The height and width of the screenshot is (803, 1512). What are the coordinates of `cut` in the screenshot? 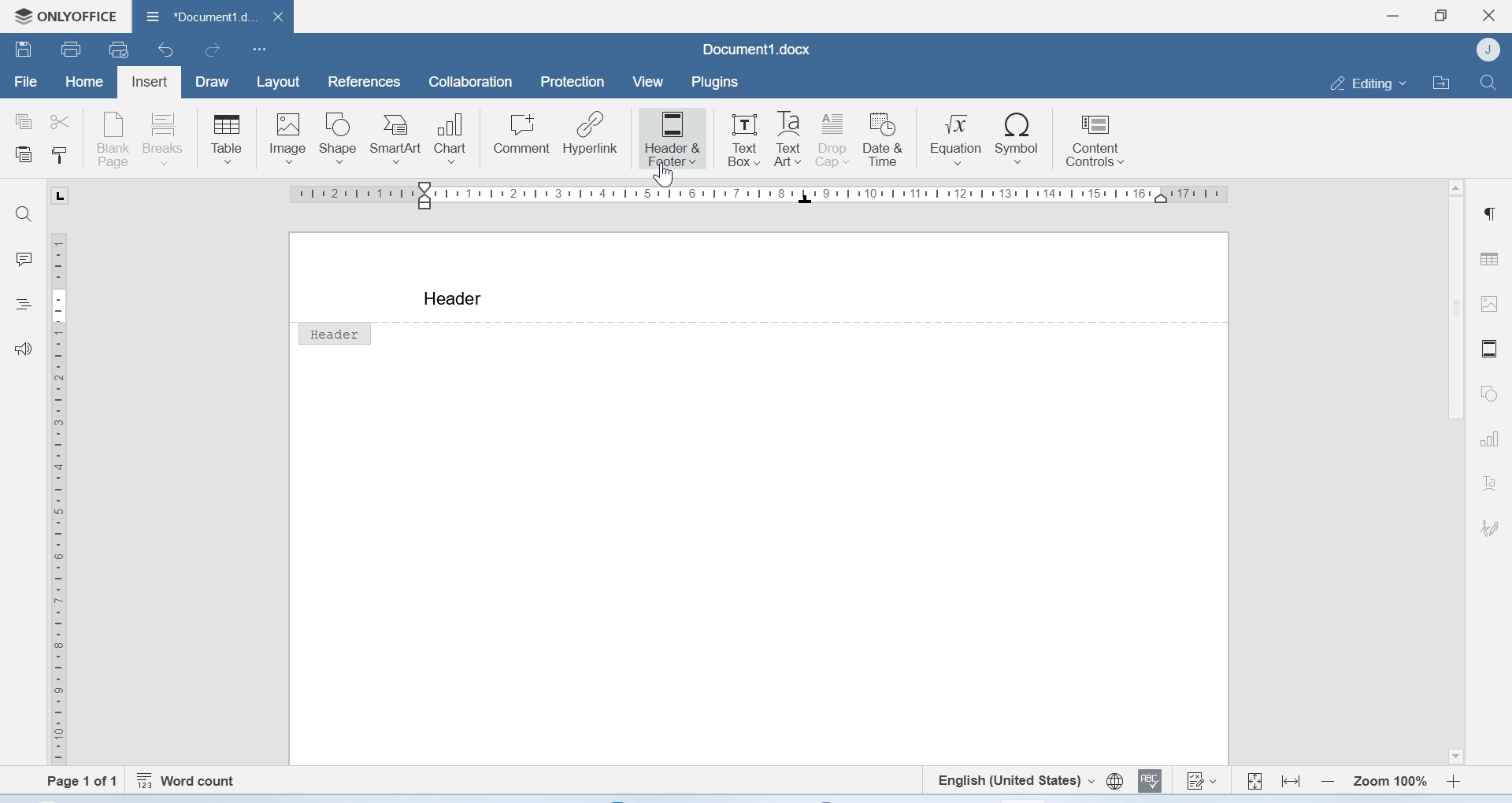 It's located at (64, 120).